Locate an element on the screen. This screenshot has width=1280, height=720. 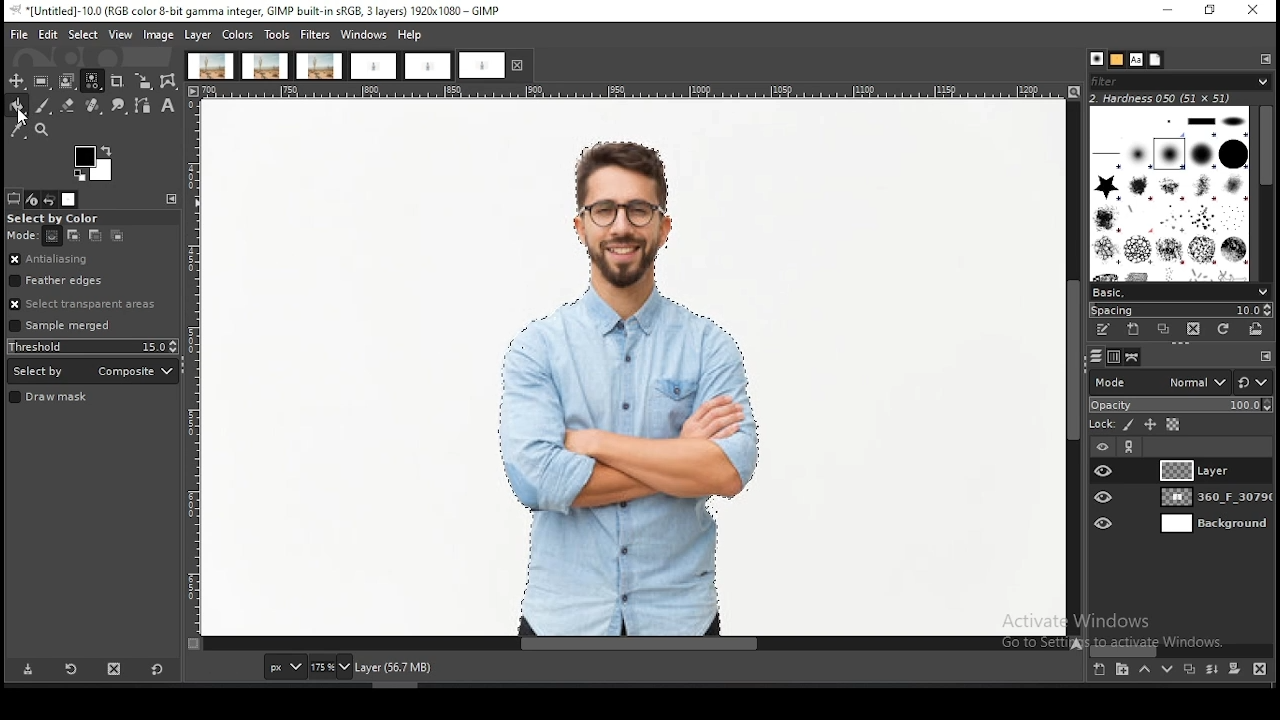
configure this tab is located at coordinates (1266, 60).